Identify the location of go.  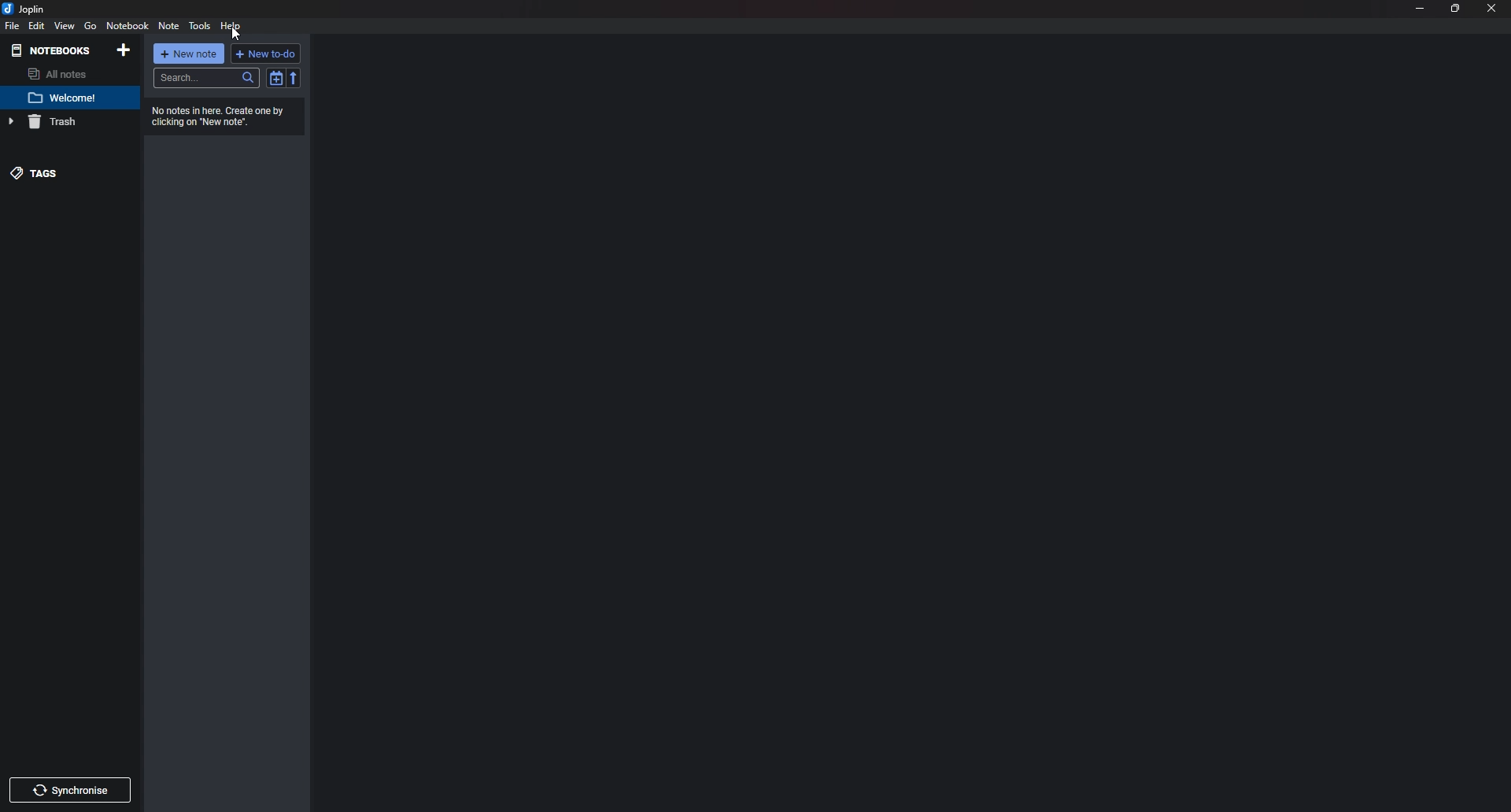
(91, 27).